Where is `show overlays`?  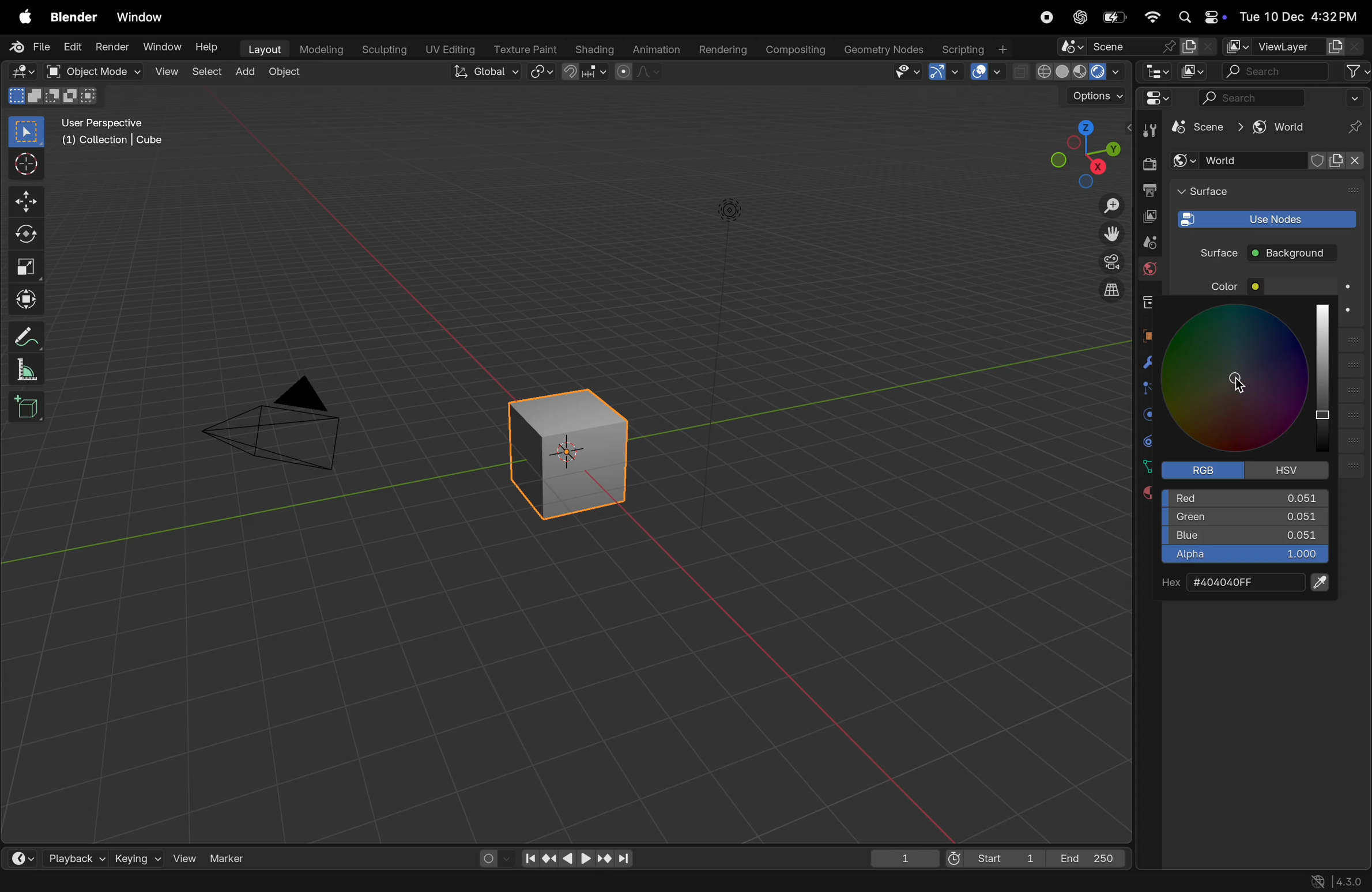
show overlays is located at coordinates (988, 71).